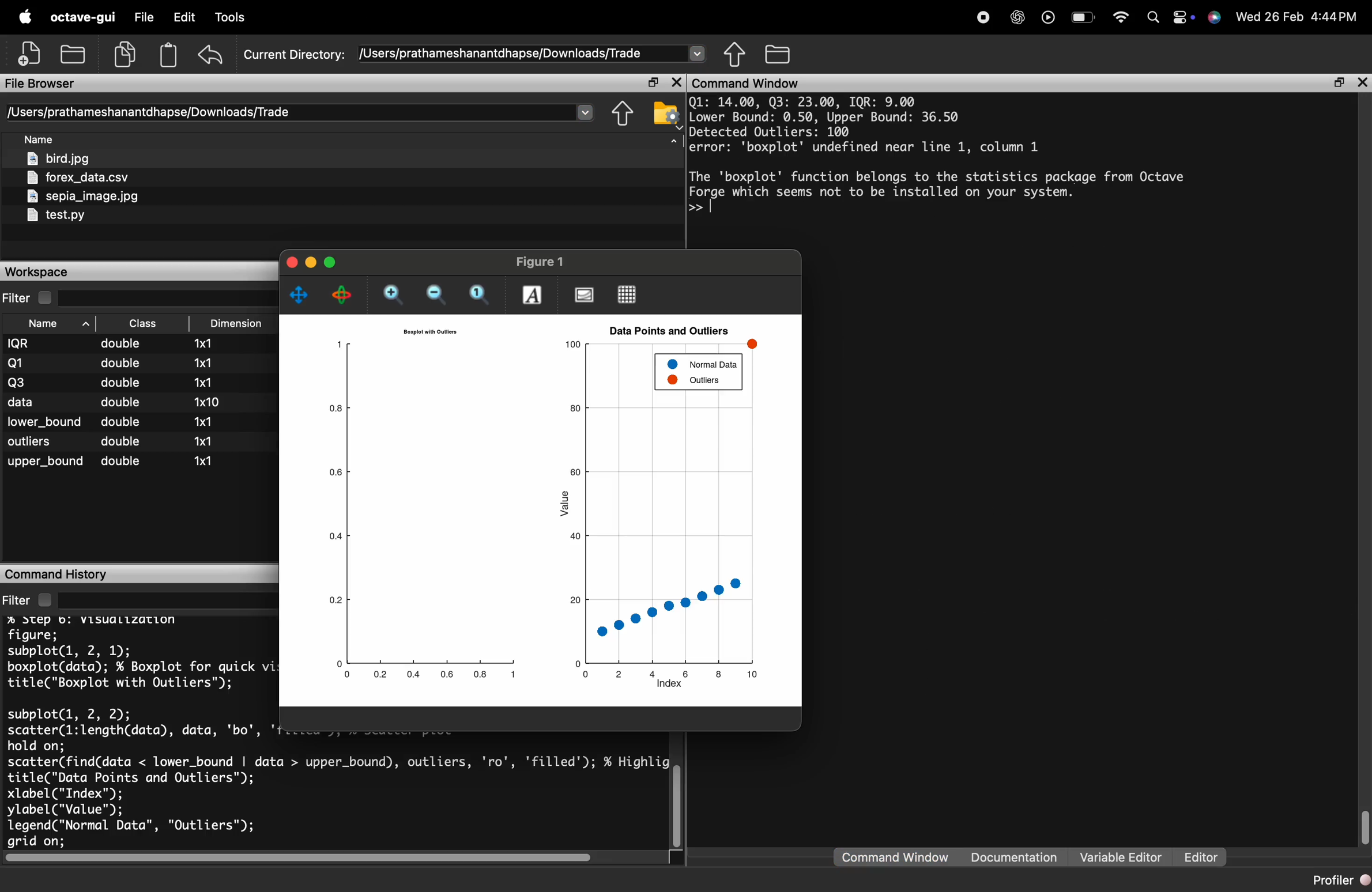 This screenshot has height=892, width=1372. Describe the element at coordinates (735, 54) in the screenshot. I see `share` at that location.